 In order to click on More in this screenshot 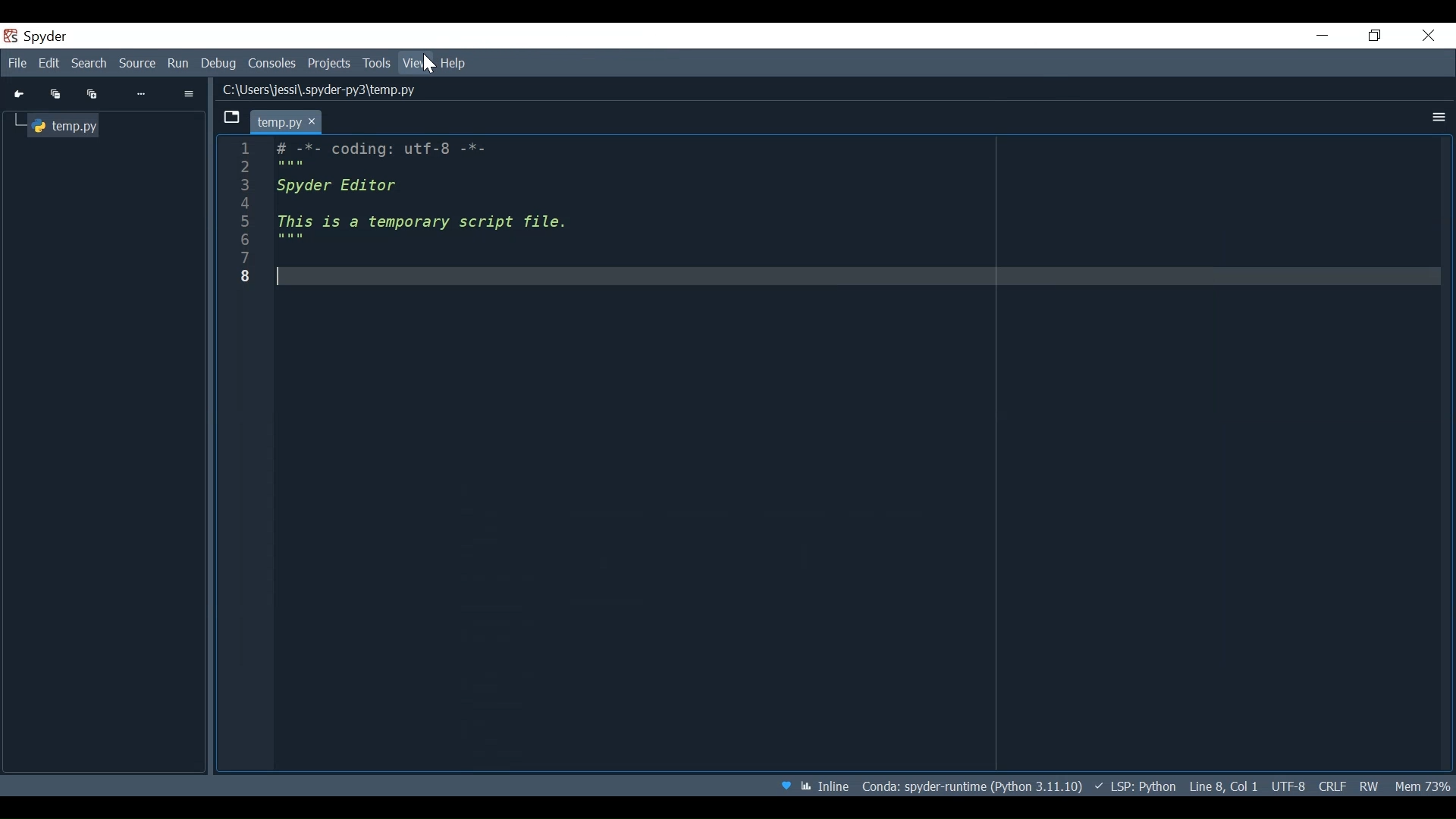, I will do `click(142, 94)`.